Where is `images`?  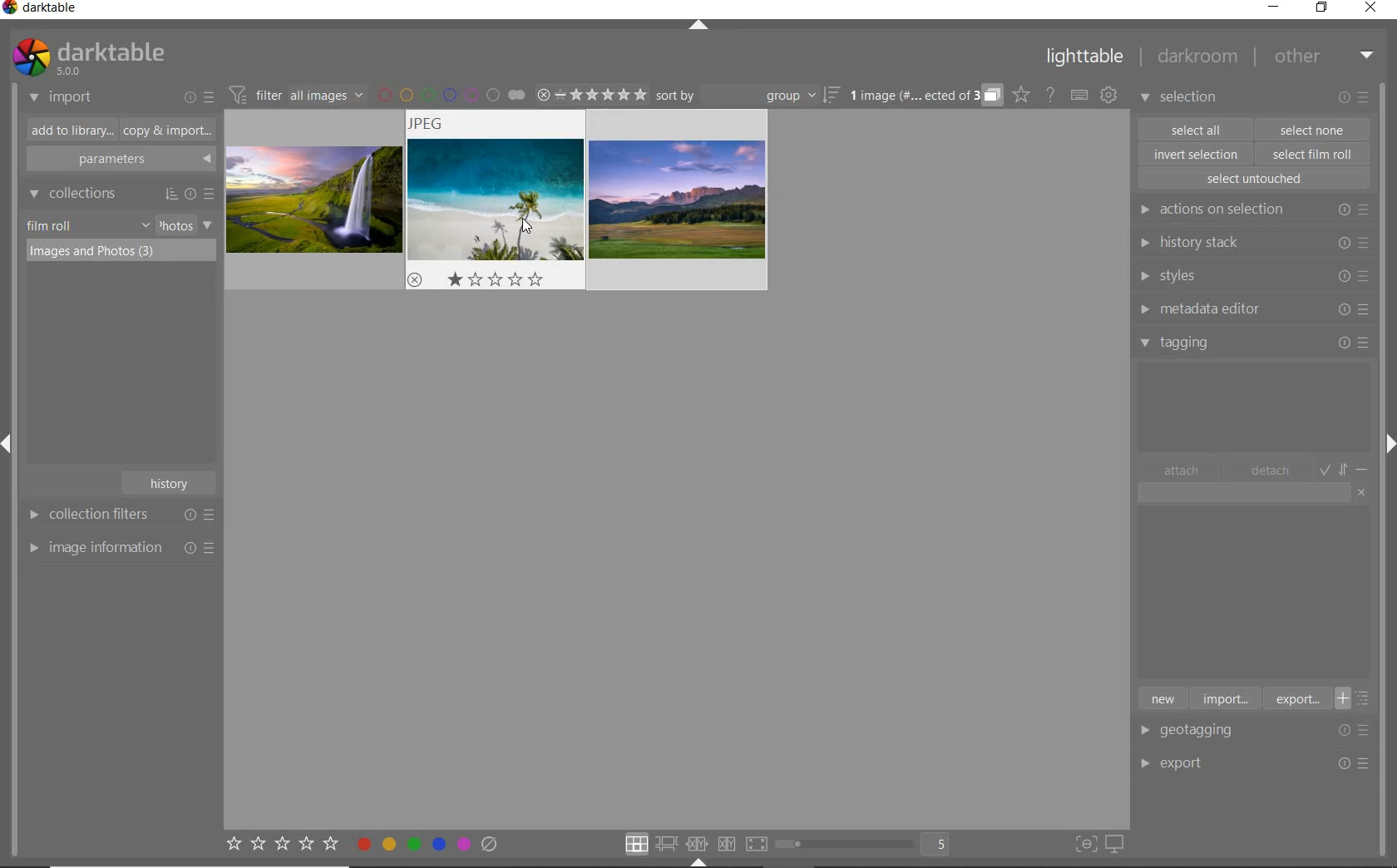
images is located at coordinates (505, 203).